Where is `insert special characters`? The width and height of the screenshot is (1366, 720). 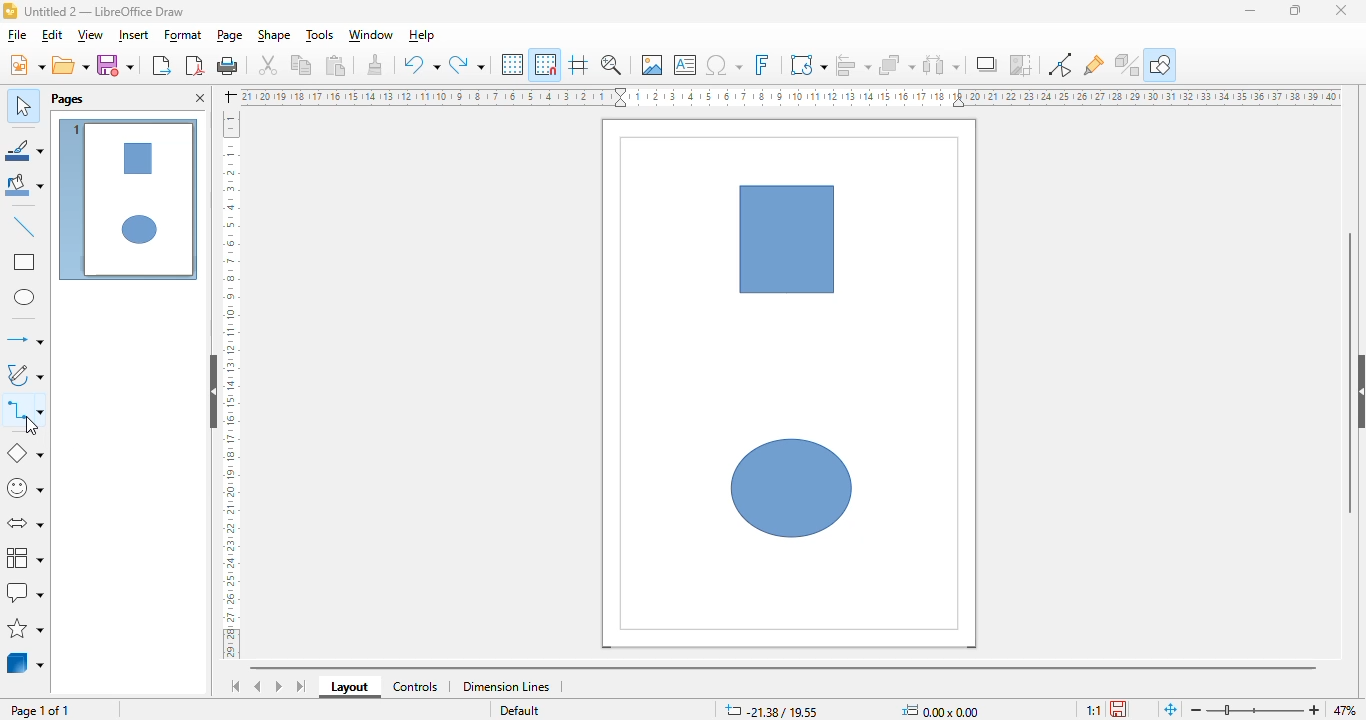 insert special characters is located at coordinates (724, 65).